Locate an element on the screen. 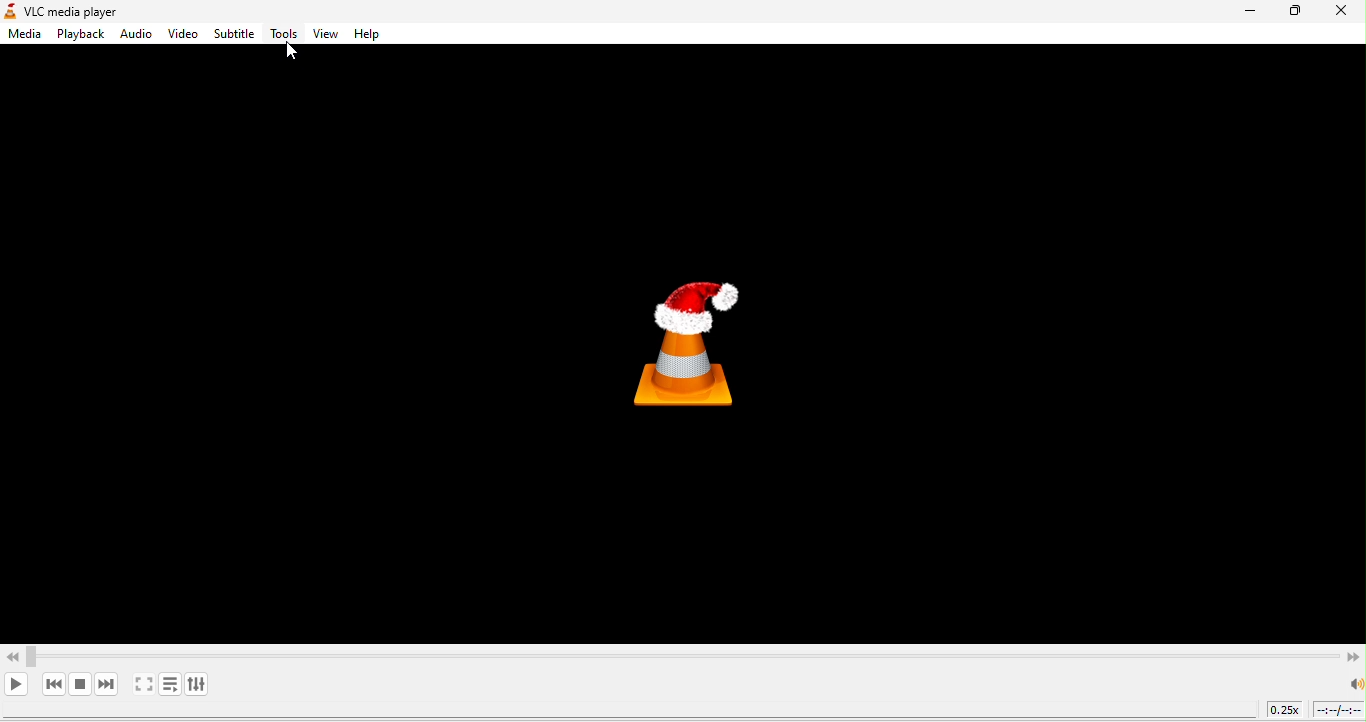 This screenshot has width=1366, height=722. previous media is located at coordinates (53, 684).